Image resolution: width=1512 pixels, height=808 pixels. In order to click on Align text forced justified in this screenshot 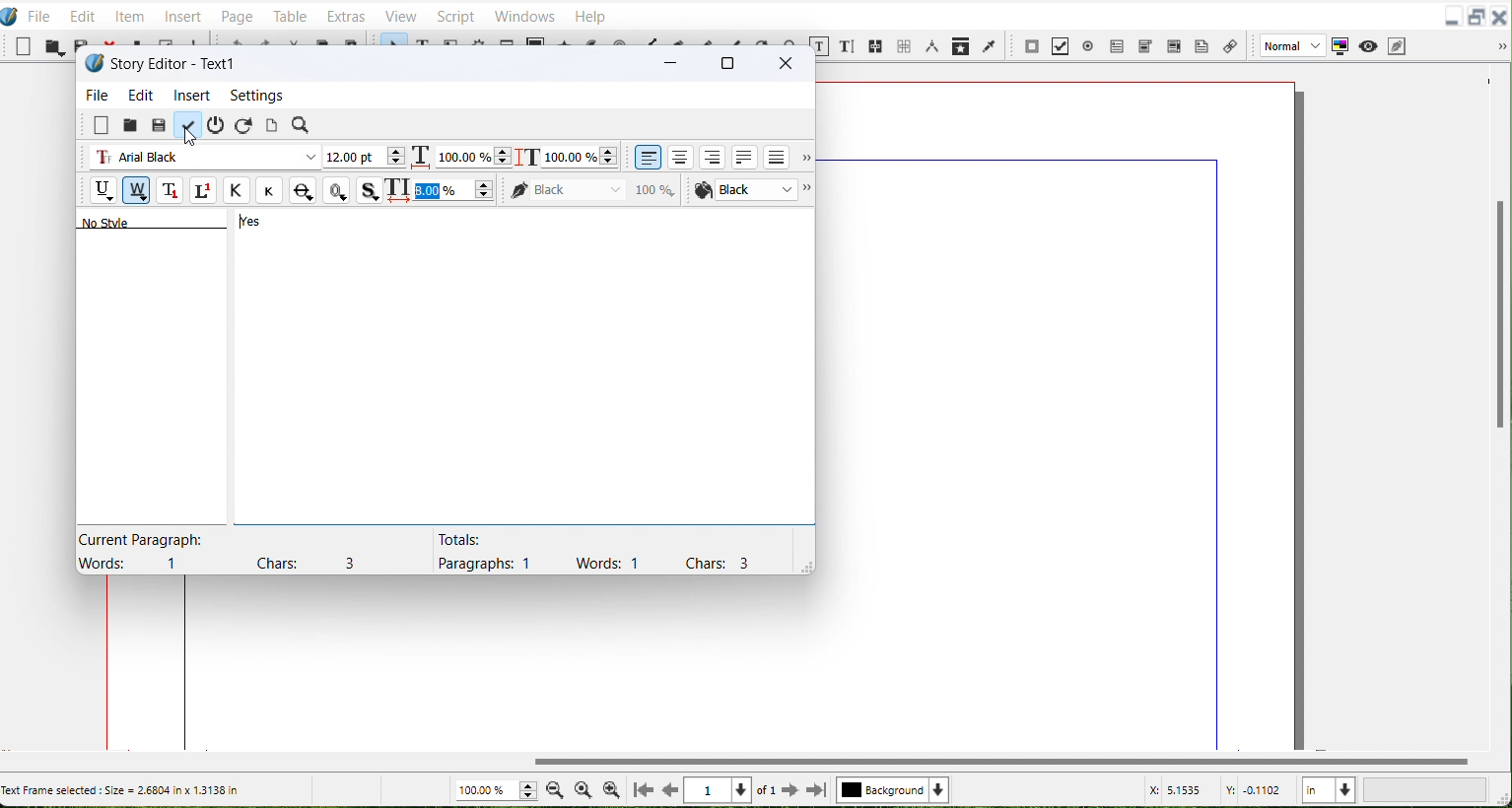, I will do `click(779, 157)`.